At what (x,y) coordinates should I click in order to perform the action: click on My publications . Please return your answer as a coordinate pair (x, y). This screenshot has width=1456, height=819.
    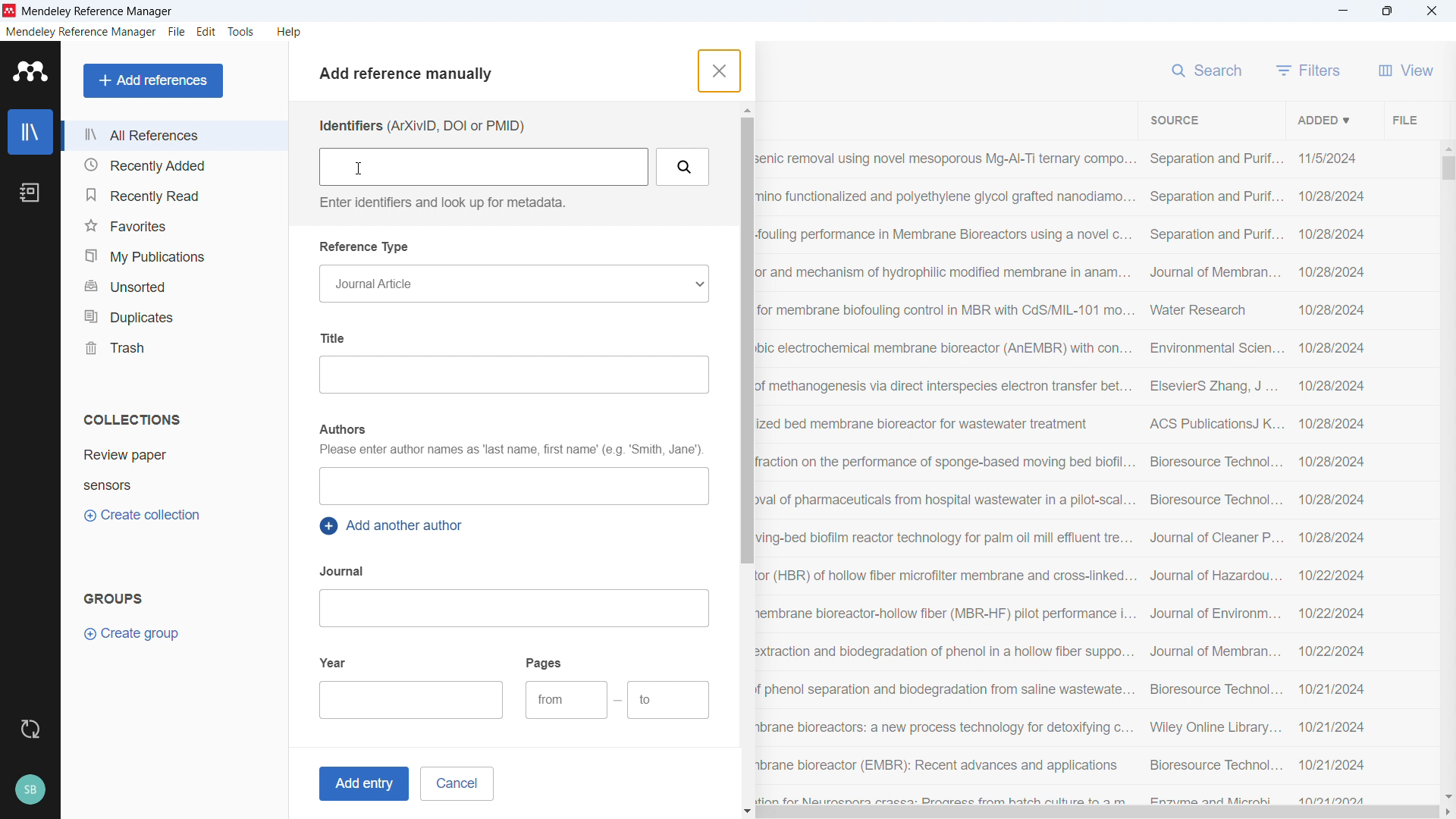
    Looking at the image, I should click on (172, 256).